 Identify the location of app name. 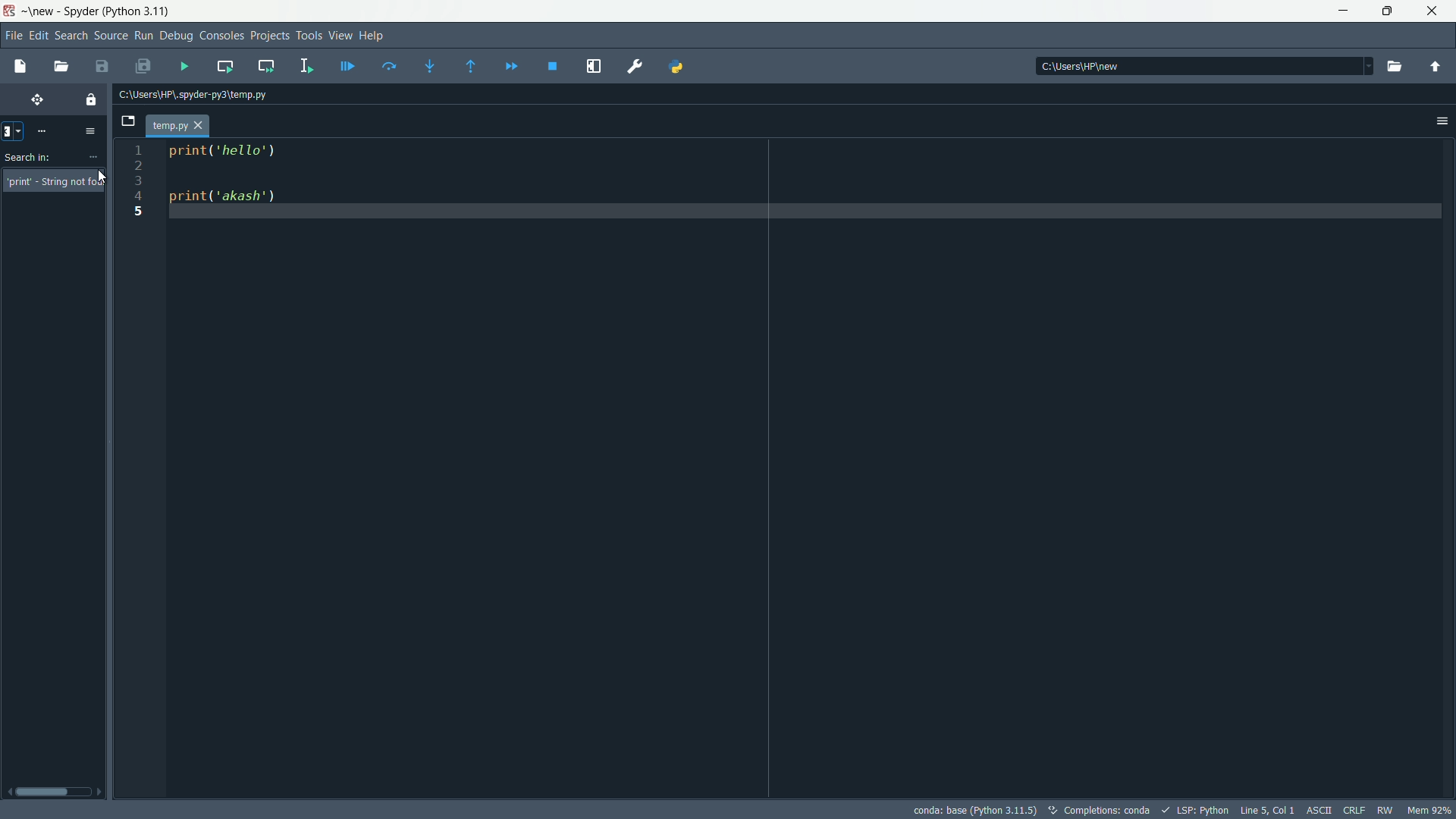
(80, 12).